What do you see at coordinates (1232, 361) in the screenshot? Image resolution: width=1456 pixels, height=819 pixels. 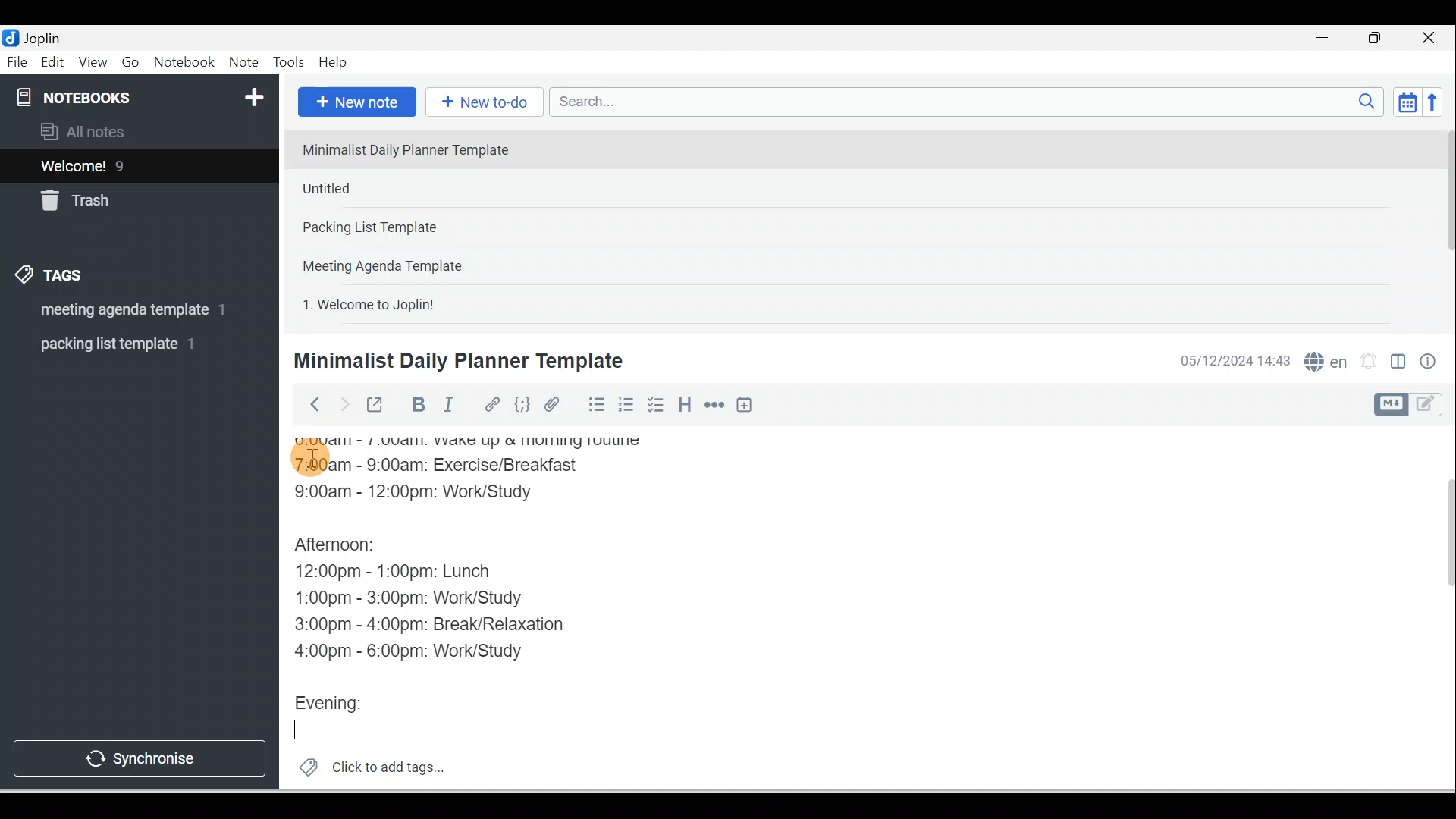 I see `Date & time` at bounding box center [1232, 361].